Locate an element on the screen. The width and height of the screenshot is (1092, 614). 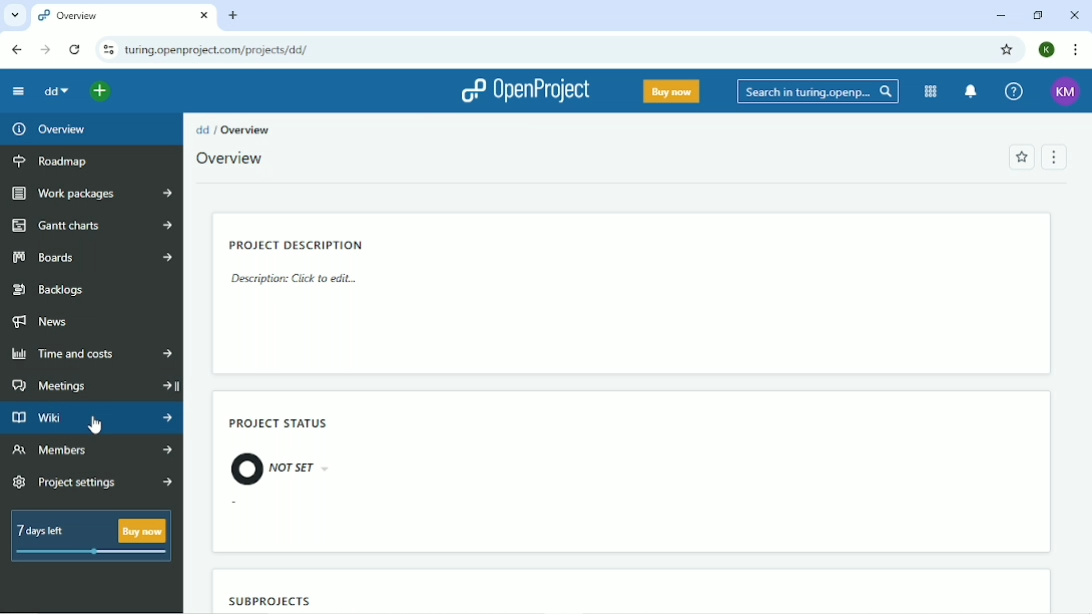
cursor is located at coordinates (95, 425).